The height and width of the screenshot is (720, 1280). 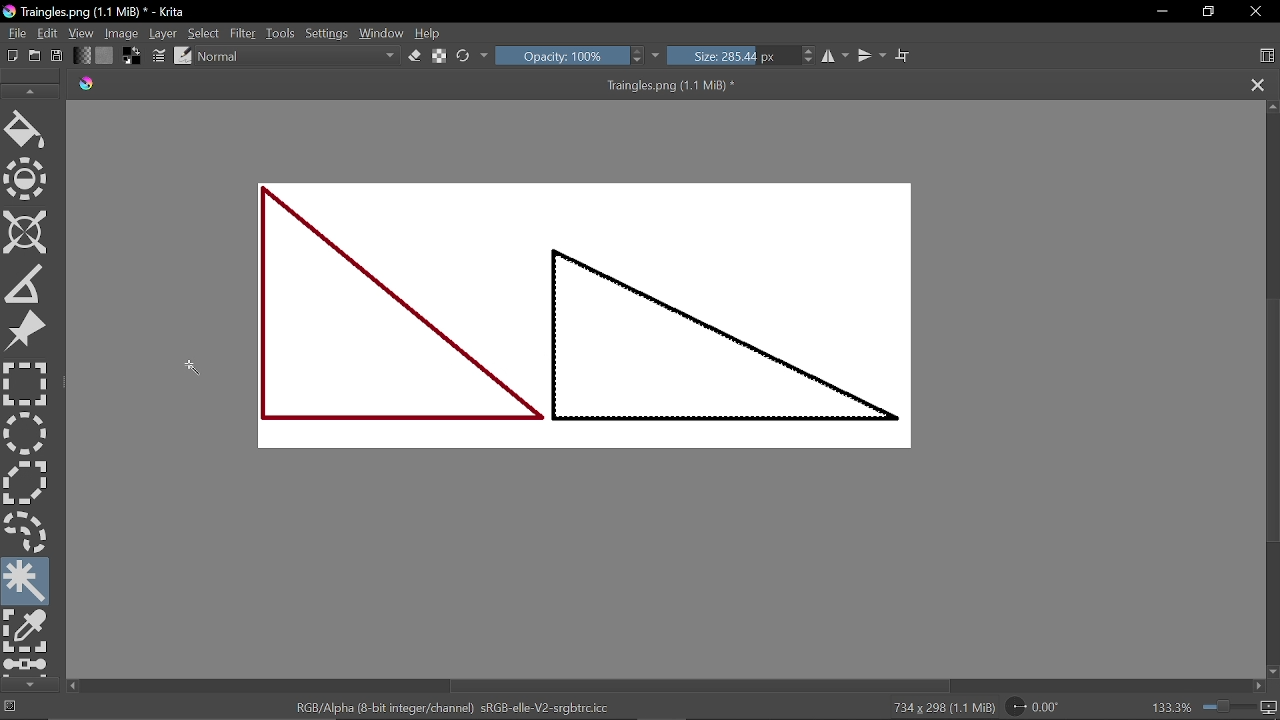 What do you see at coordinates (706, 685) in the screenshot?
I see `Horizontal scroll` at bounding box center [706, 685].